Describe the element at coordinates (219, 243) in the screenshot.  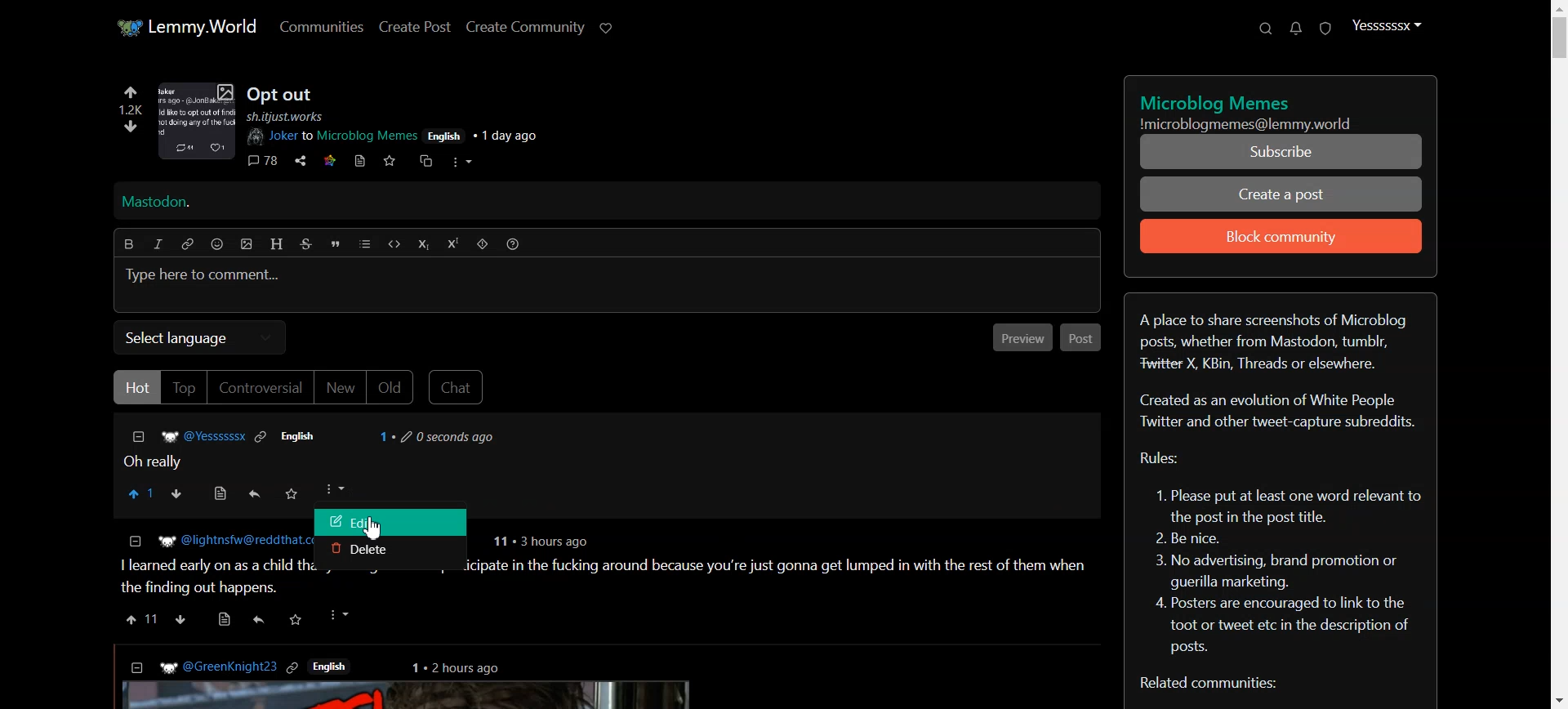
I see `Emoji` at that location.